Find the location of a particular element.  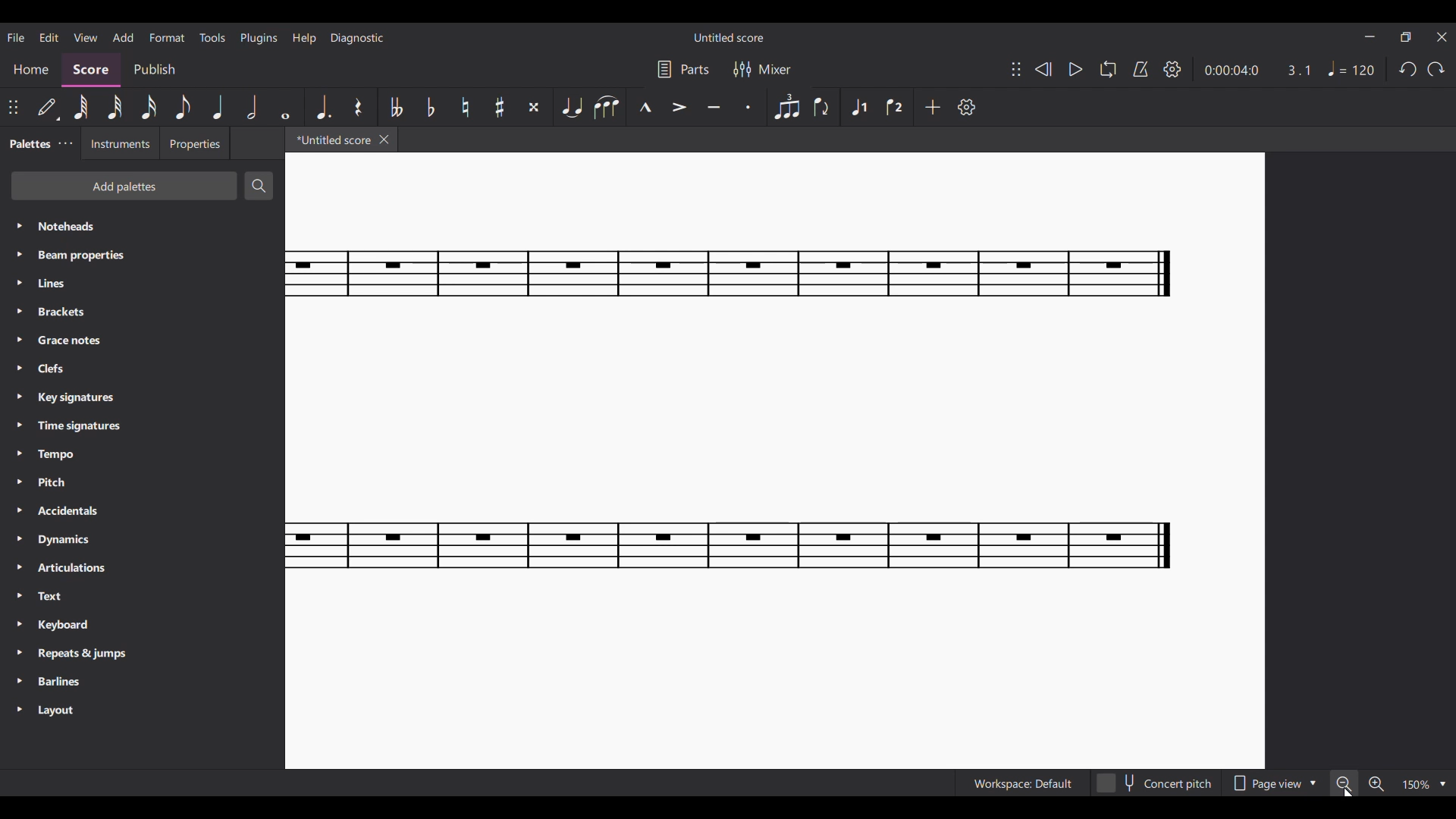

Home section is located at coordinates (32, 70).